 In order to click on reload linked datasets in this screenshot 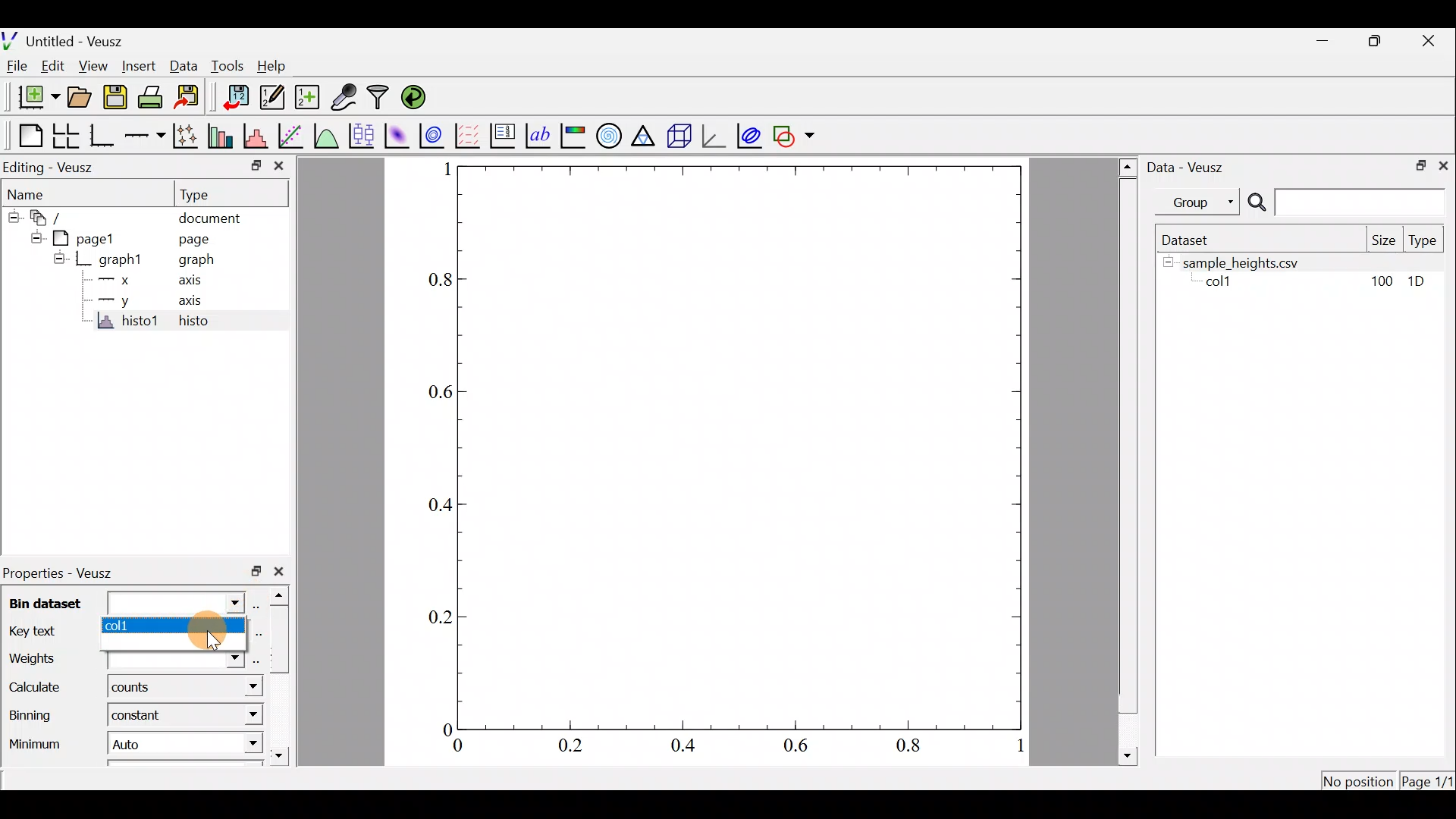, I will do `click(420, 97)`.